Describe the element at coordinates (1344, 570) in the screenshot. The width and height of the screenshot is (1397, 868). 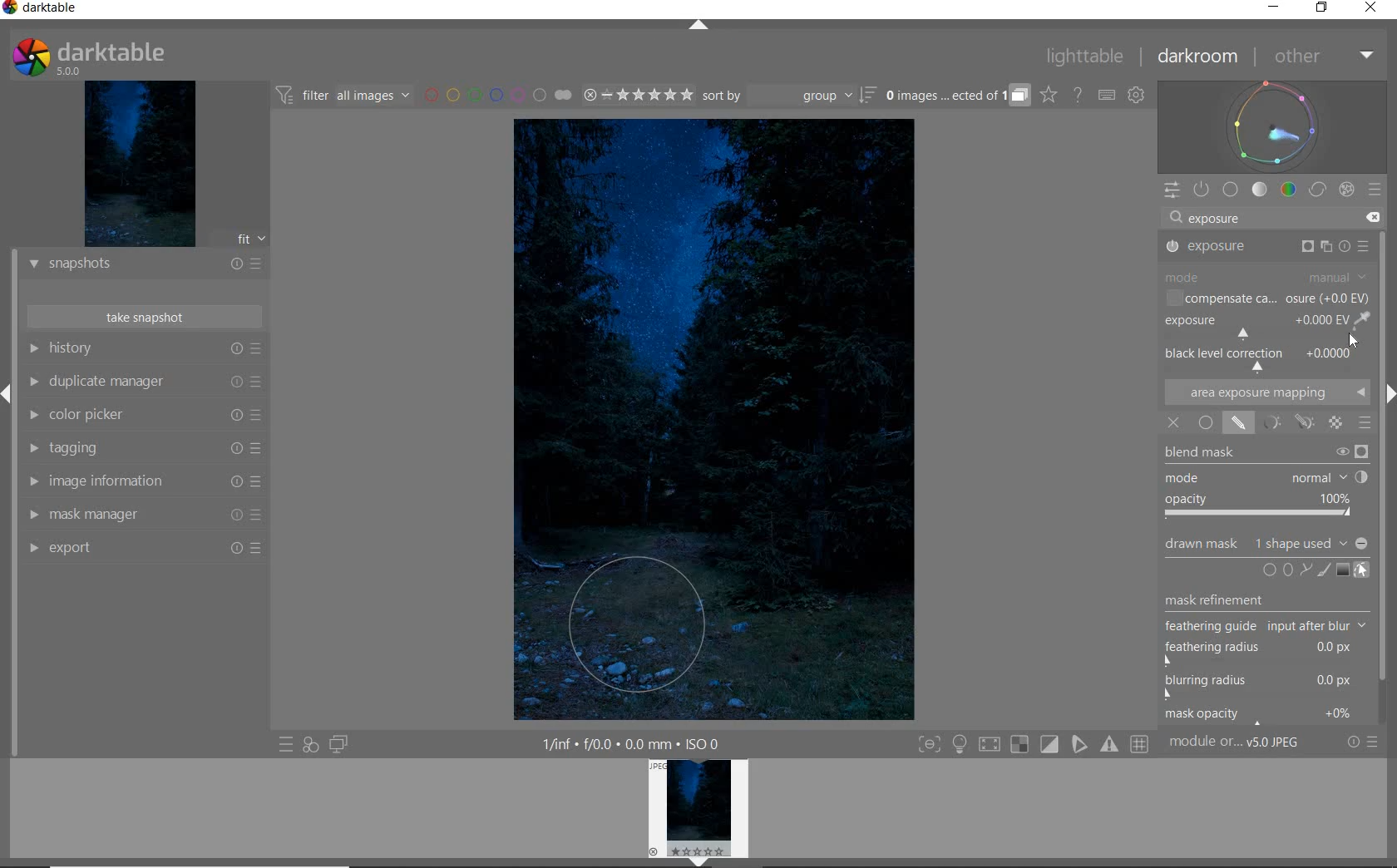
I see `ADD GRADIENT` at that location.